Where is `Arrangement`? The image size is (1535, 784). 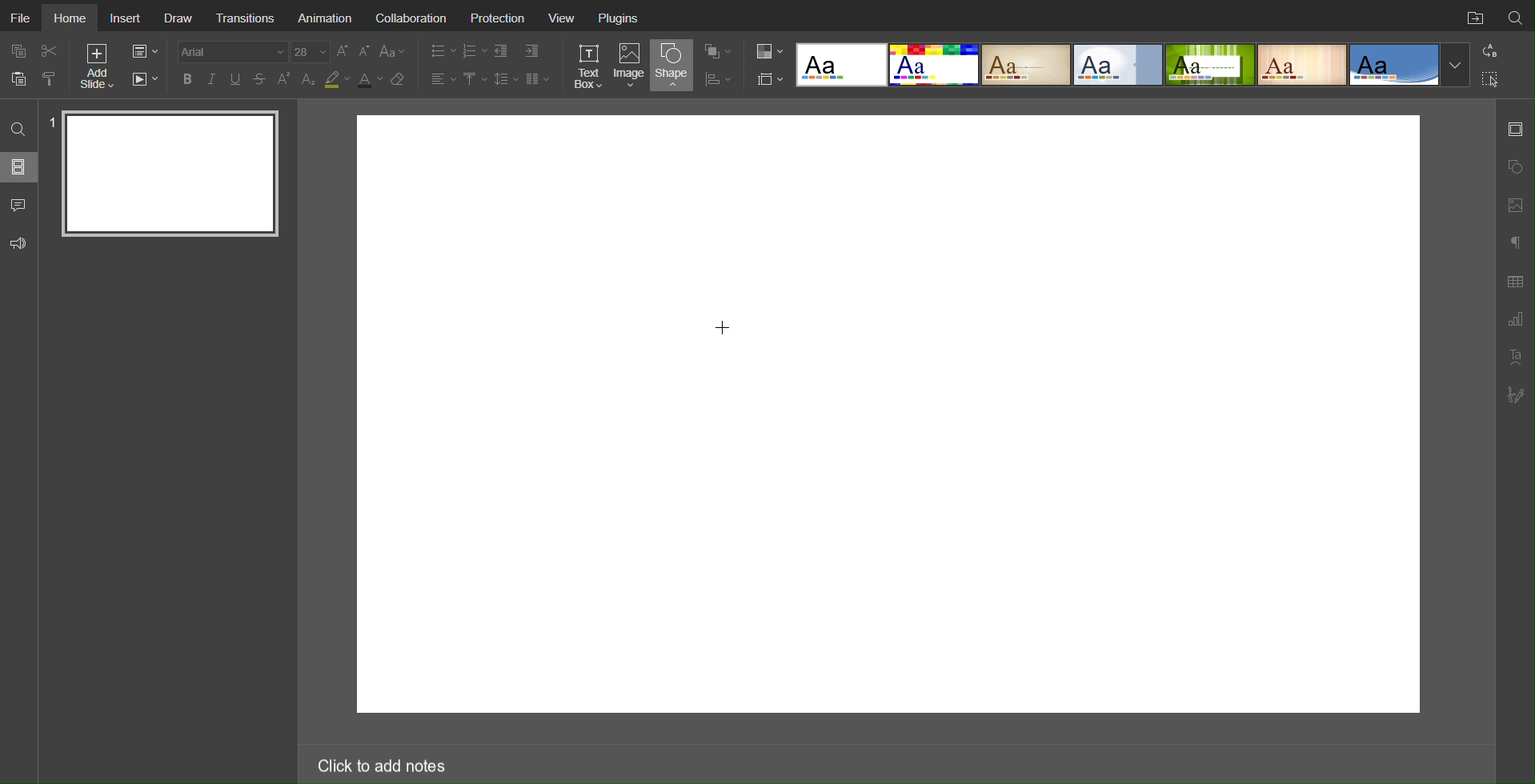
Arrangement is located at coordinates (717, 50).